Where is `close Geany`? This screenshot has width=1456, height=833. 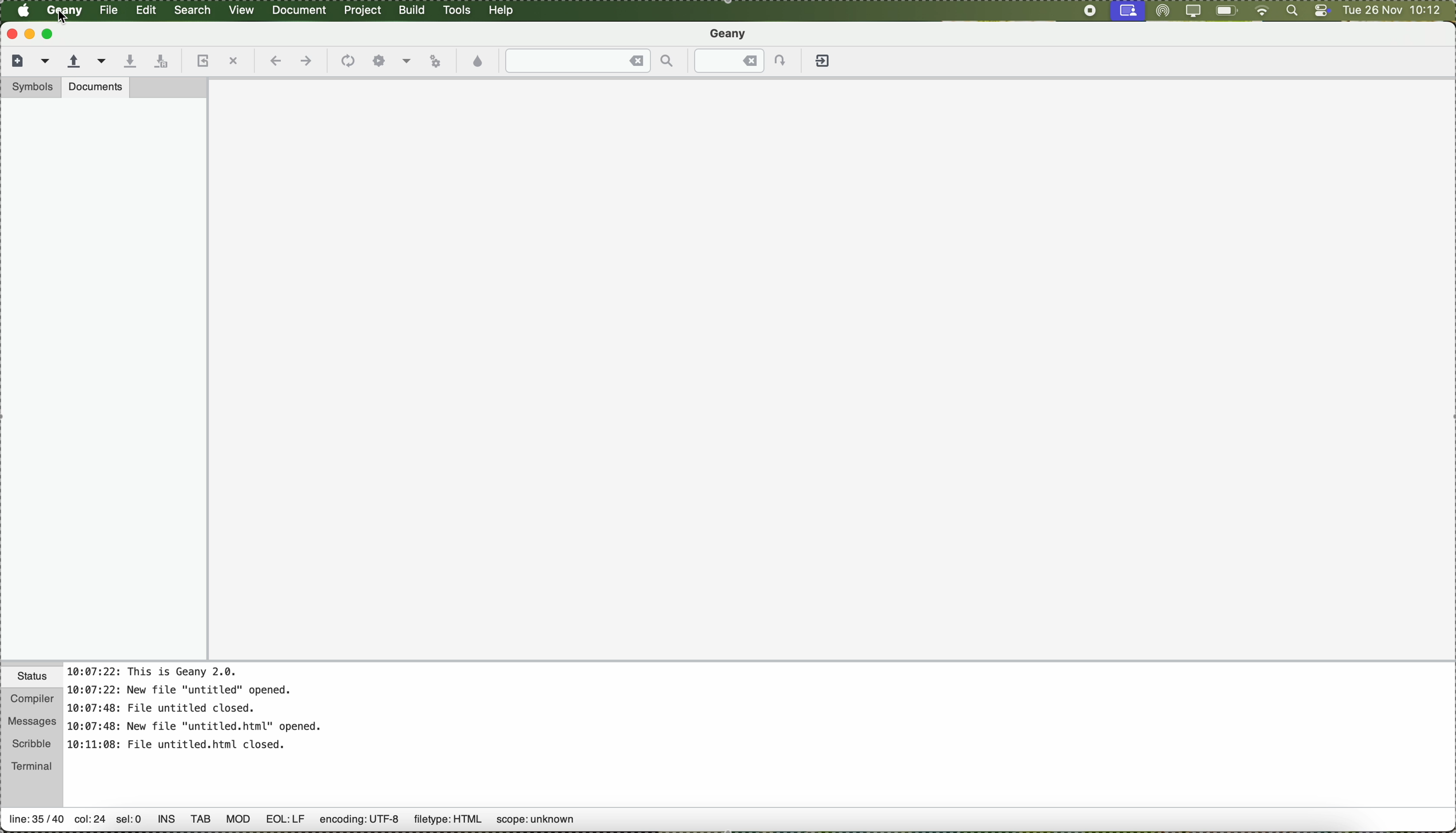
close Geany is located at coordinates (11, 34).